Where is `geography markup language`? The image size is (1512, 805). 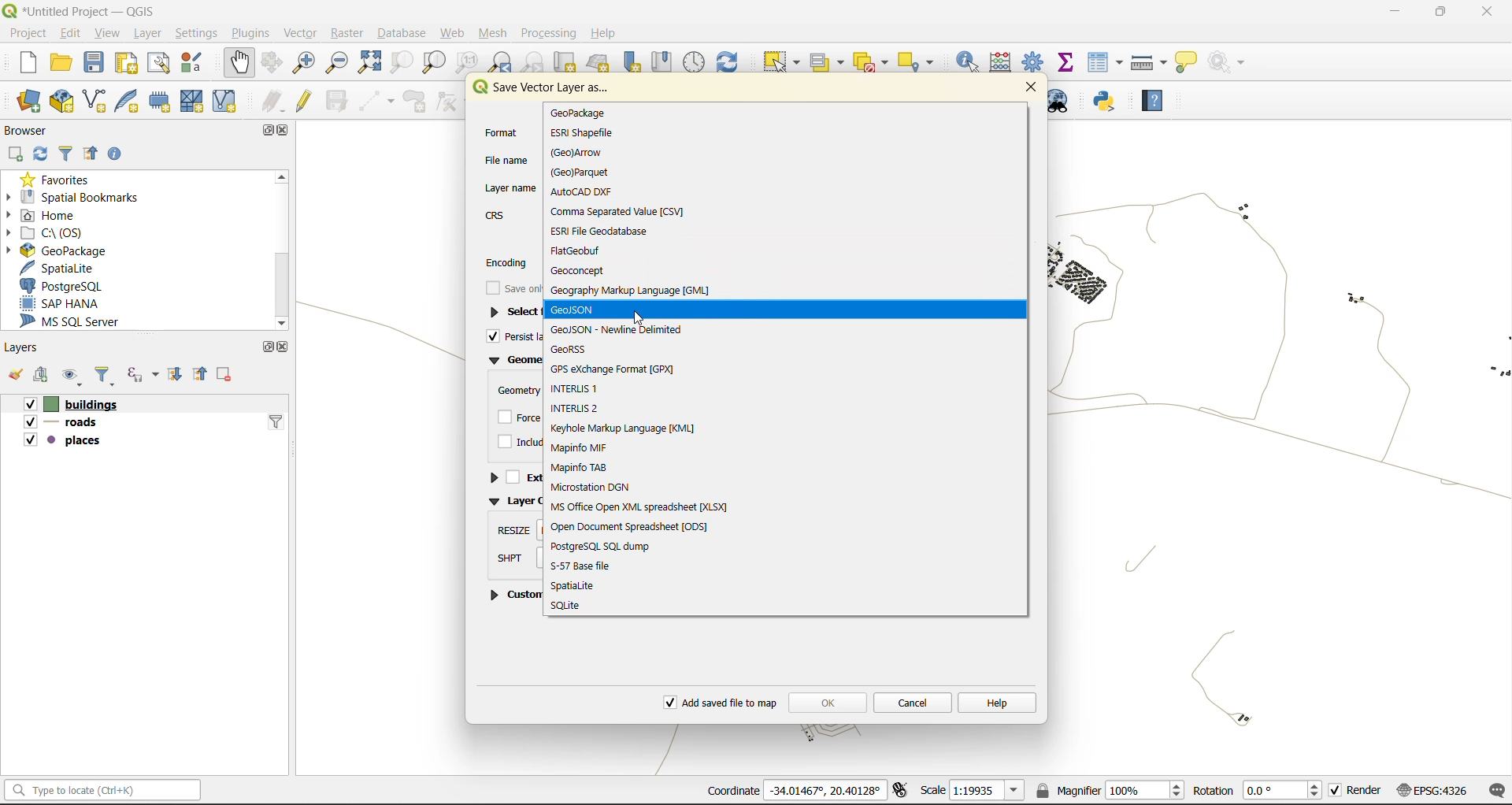 geography markup language is located at coordinates (631, 293).